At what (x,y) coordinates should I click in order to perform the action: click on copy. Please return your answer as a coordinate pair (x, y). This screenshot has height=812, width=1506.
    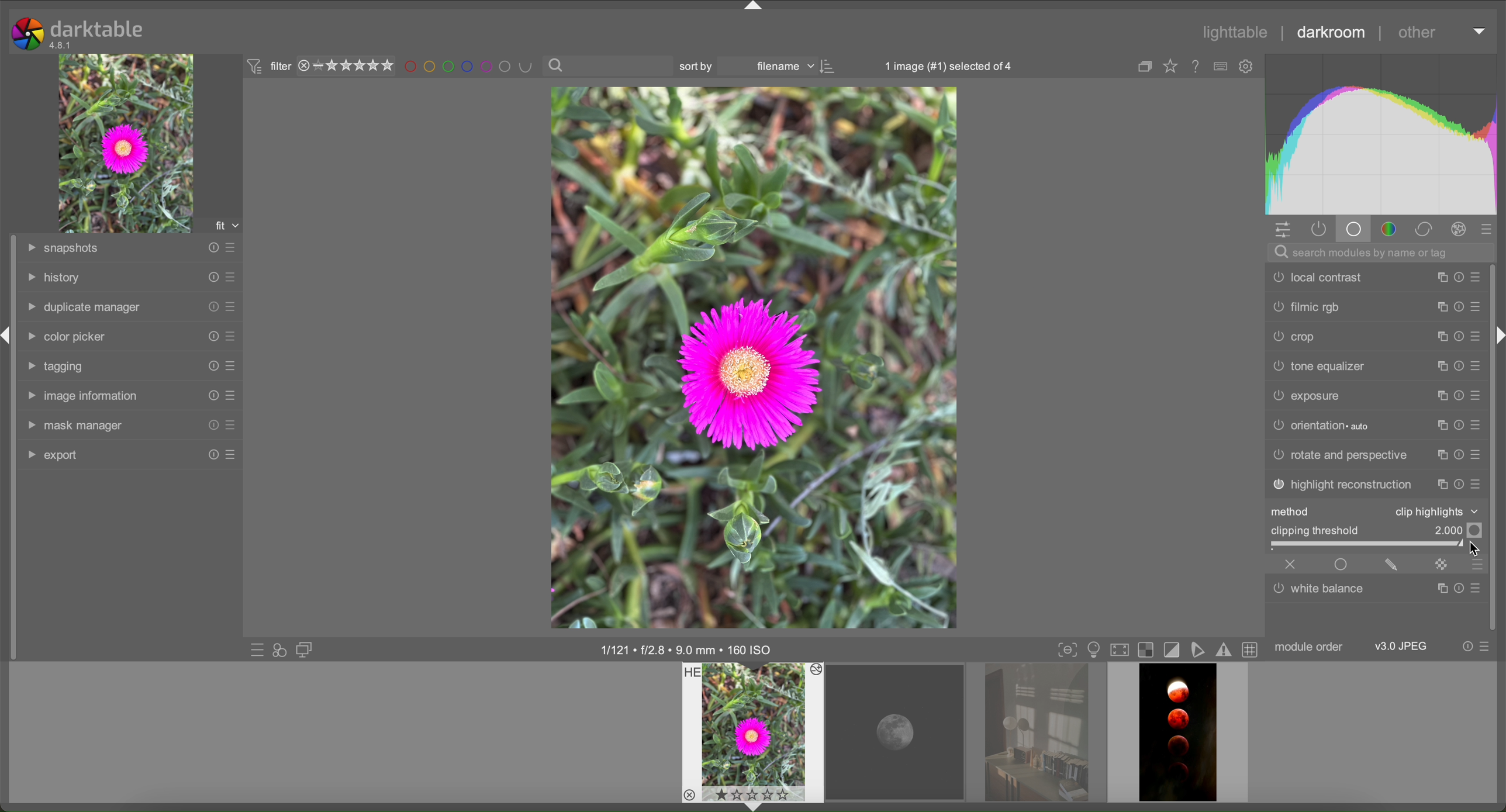
    Looking at the image, I should click on (1439, 279).